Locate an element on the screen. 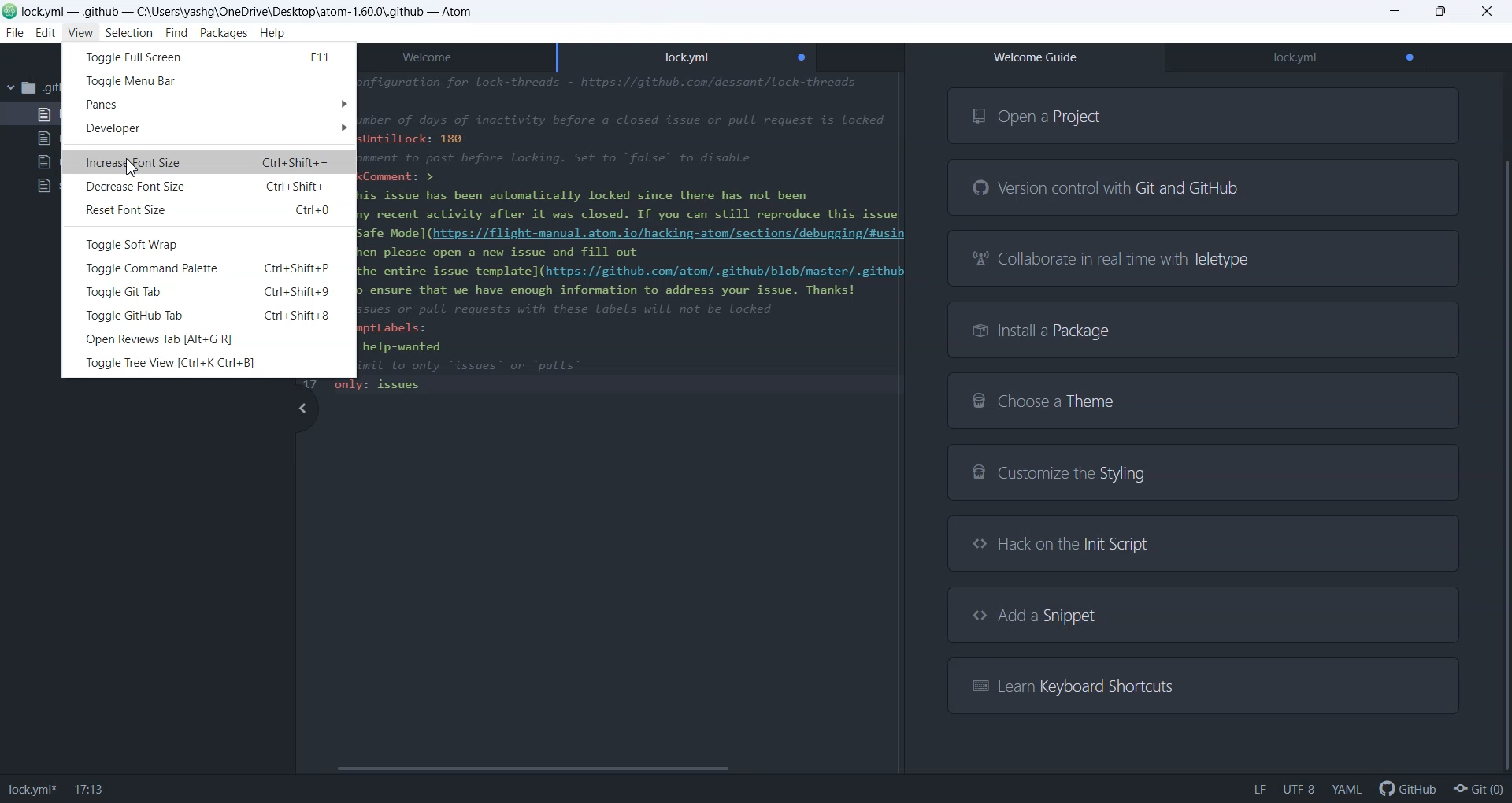 Image resolution: width=1512 pixels, height=803 pixels. Panes is located at coordinates (209, 103).